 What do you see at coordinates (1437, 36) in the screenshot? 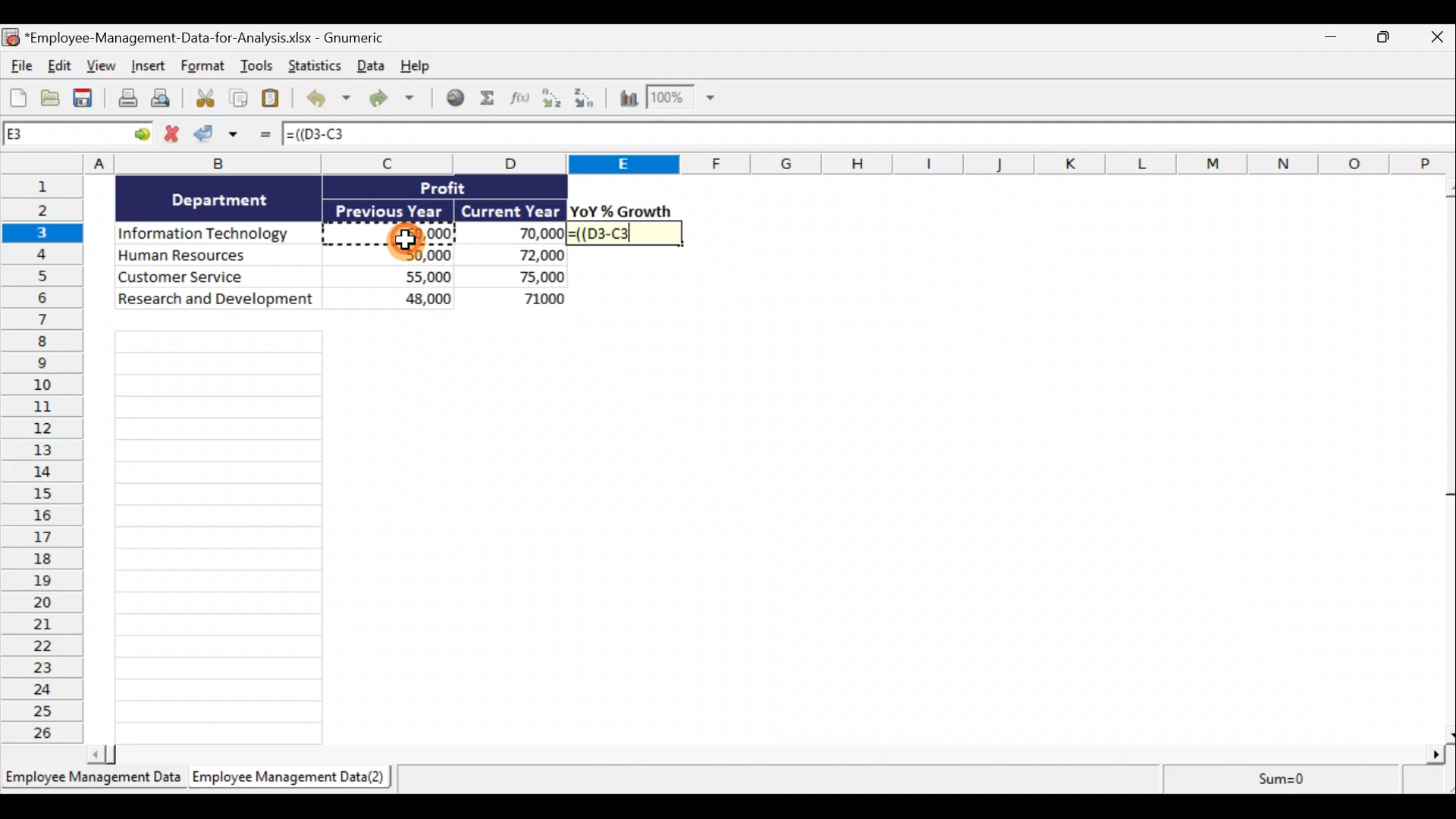
I see `Close` at bounding box center [1437, 36].